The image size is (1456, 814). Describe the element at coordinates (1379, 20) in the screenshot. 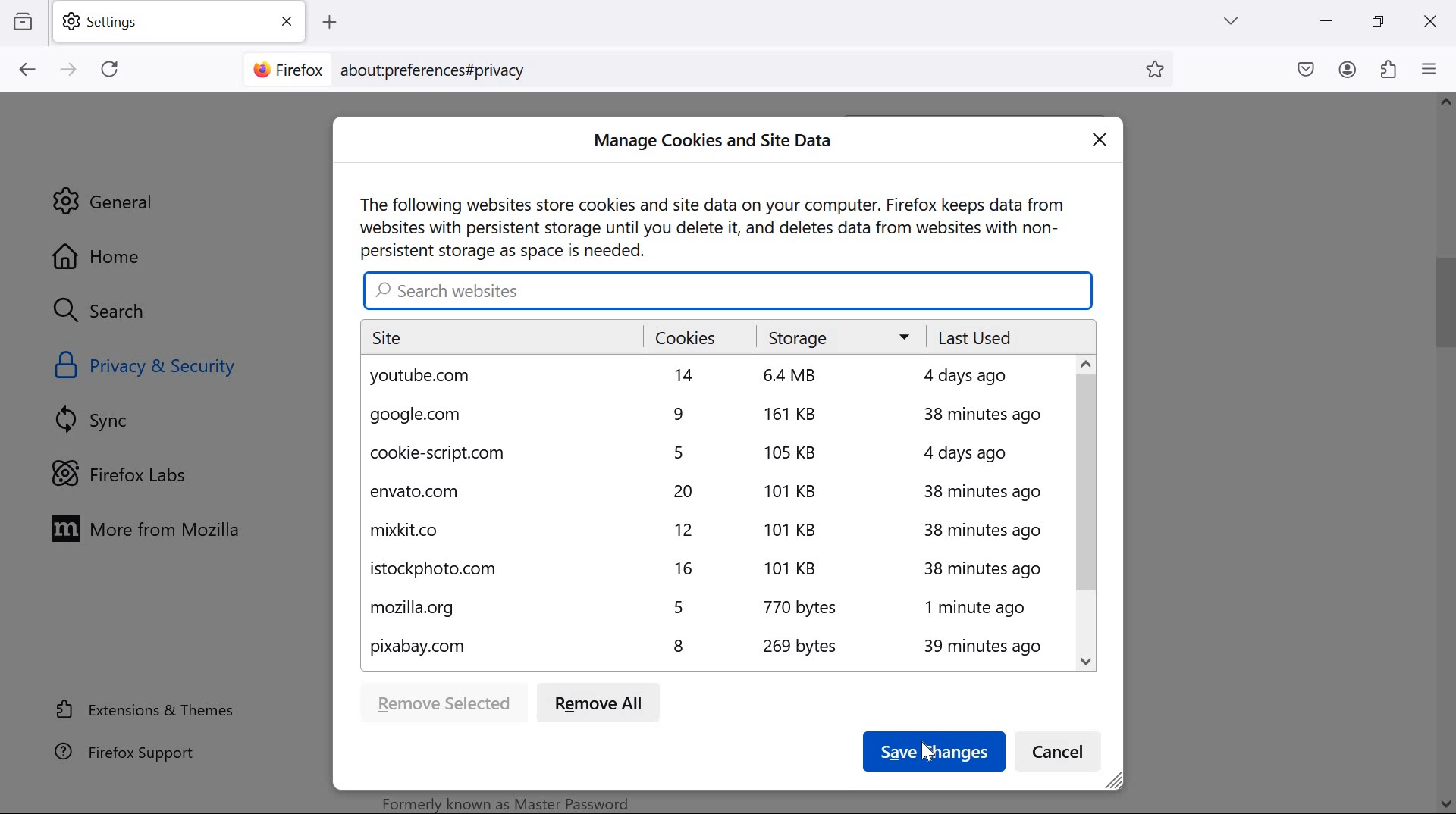

I see `restore down` at that location.